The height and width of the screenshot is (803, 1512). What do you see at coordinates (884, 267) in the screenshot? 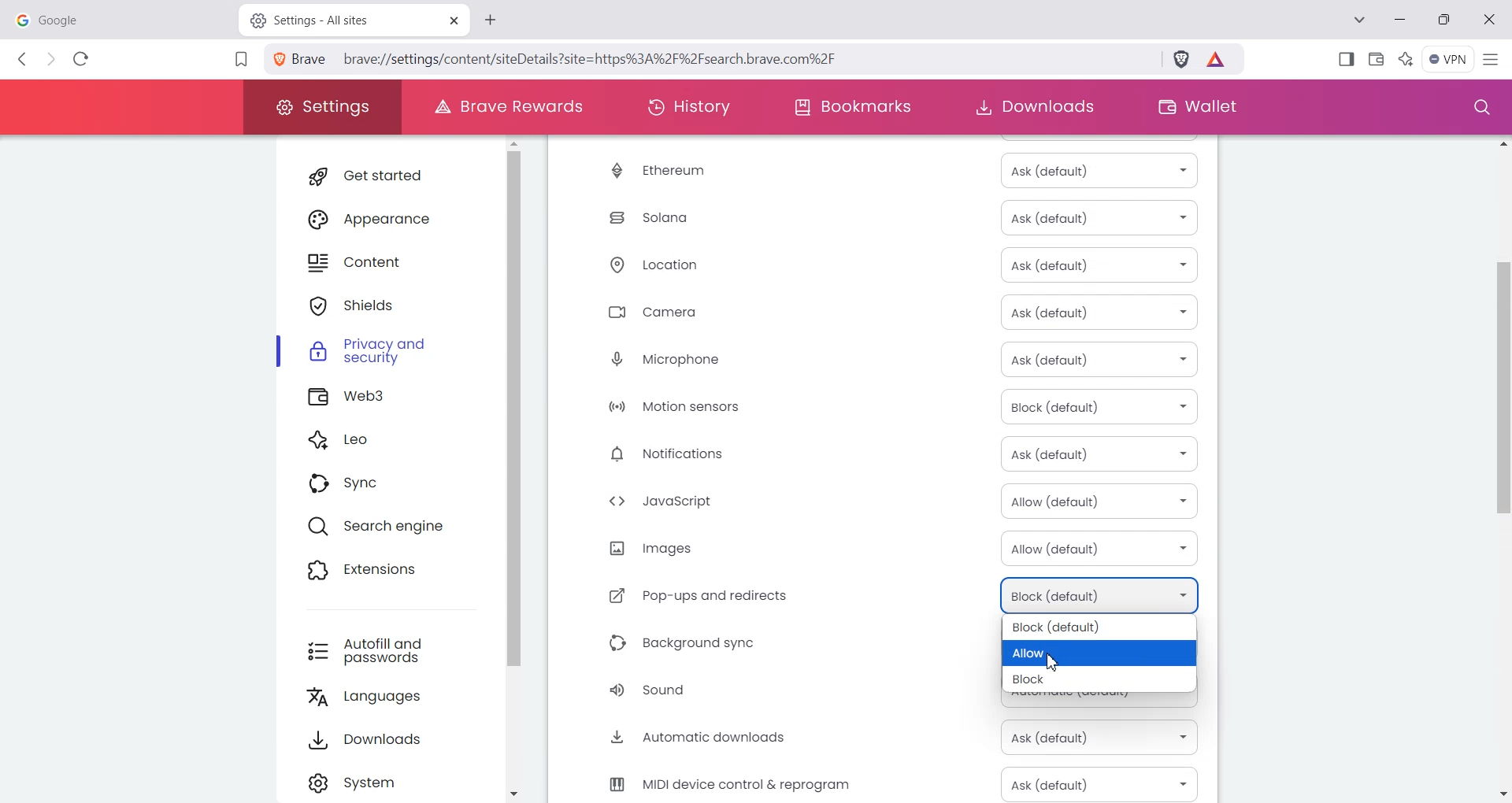
I see `Location Ask (Default)` at bounding box center [884, 267].